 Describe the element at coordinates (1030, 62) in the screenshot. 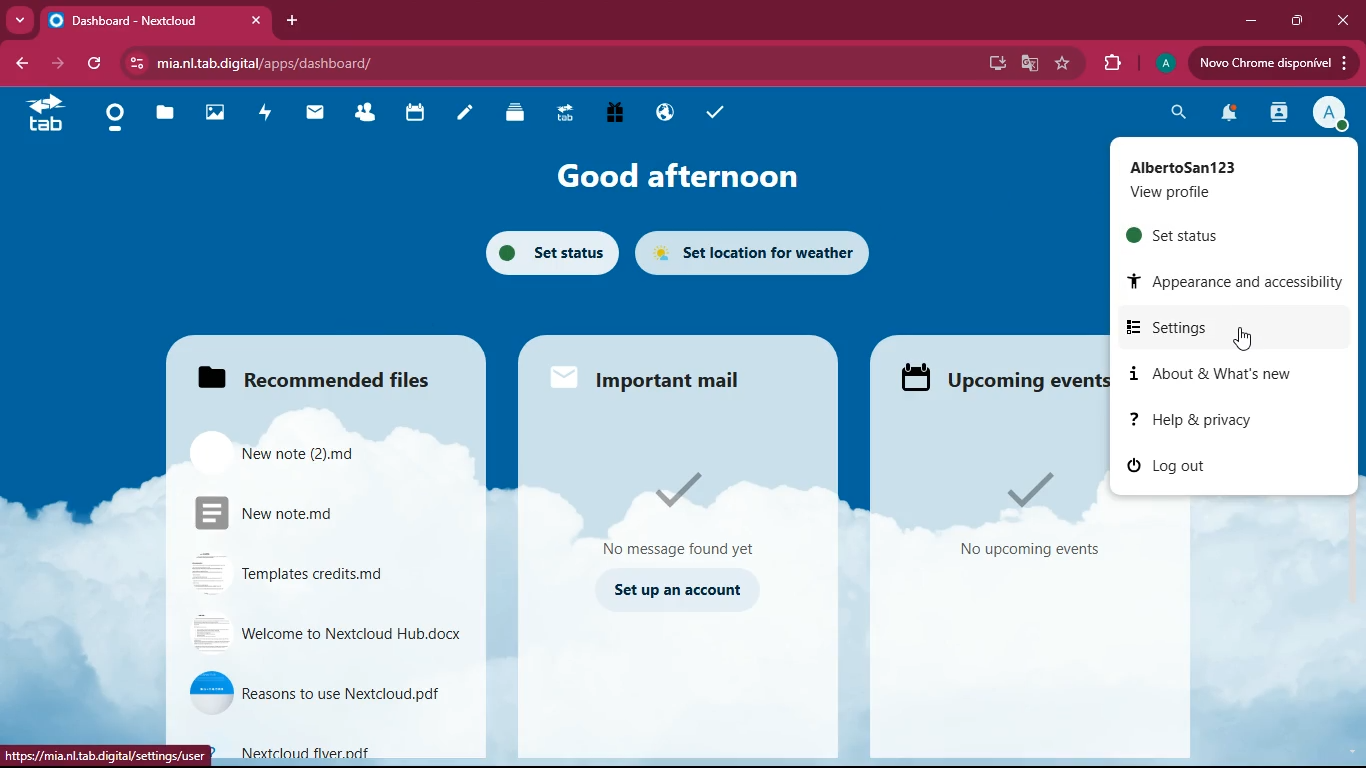

I see `google translate` at that location.